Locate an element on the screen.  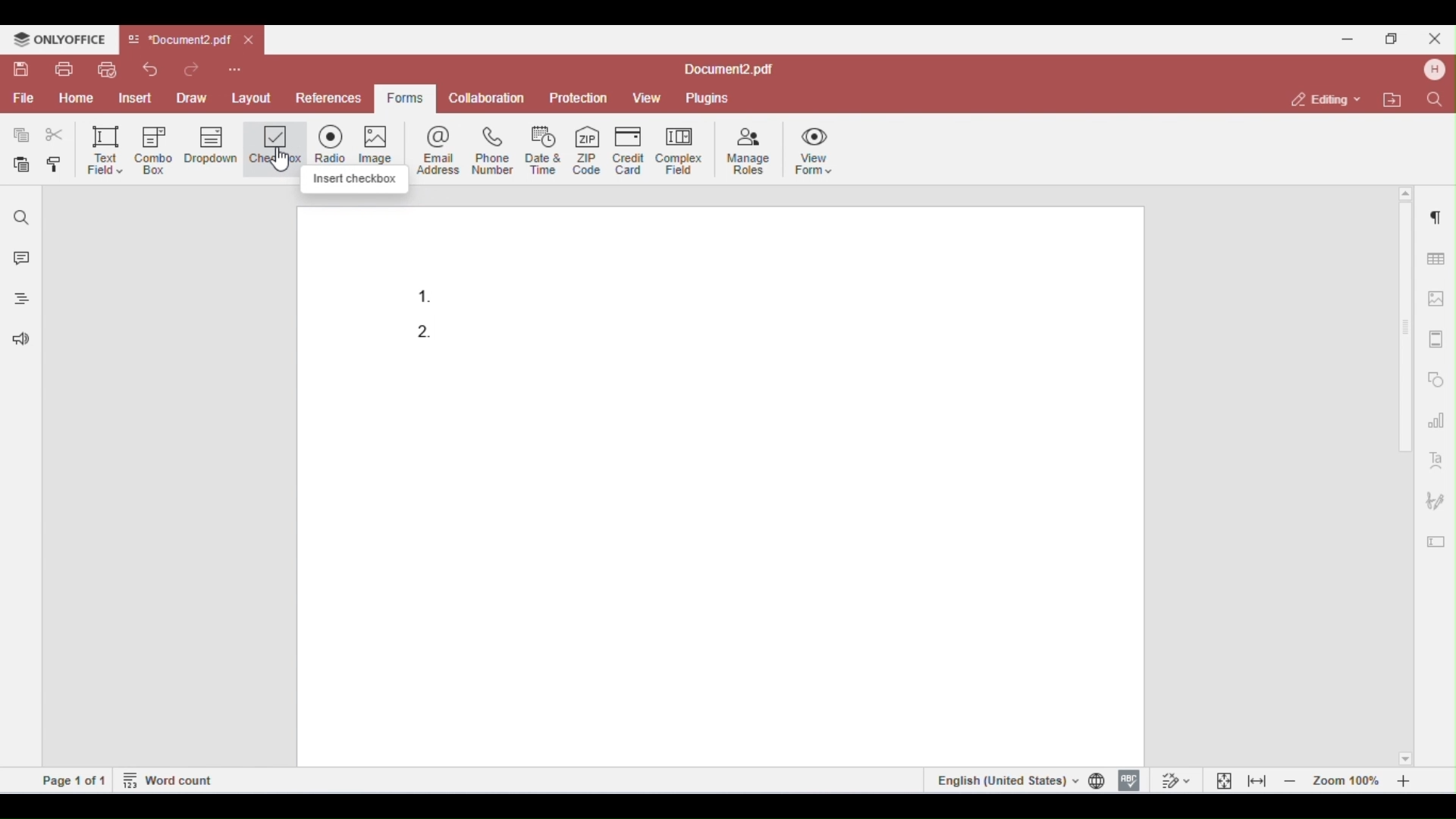
redo is located at coordinates (195, 68).